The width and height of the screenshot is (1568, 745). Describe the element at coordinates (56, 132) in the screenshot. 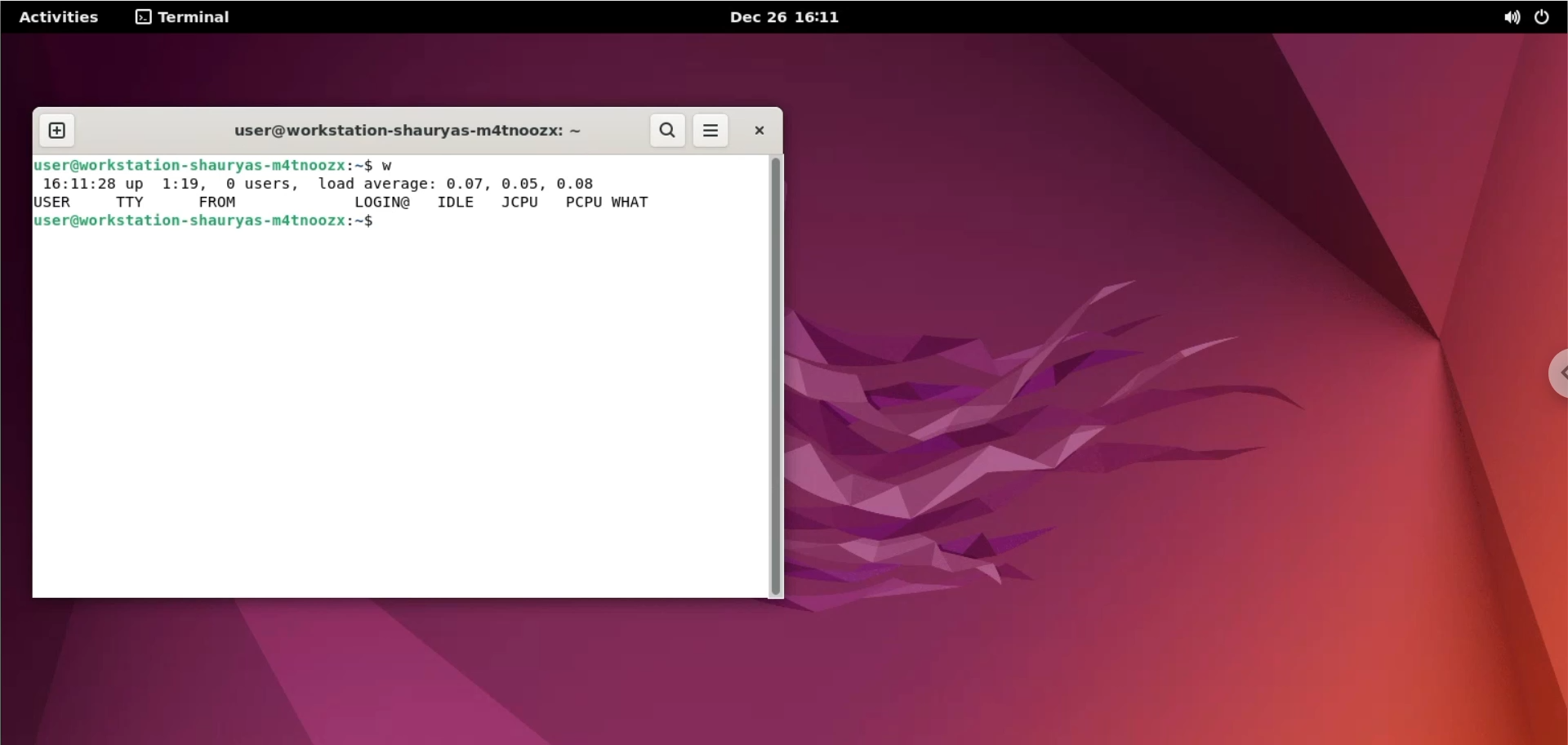

I see `new tab` at that location.